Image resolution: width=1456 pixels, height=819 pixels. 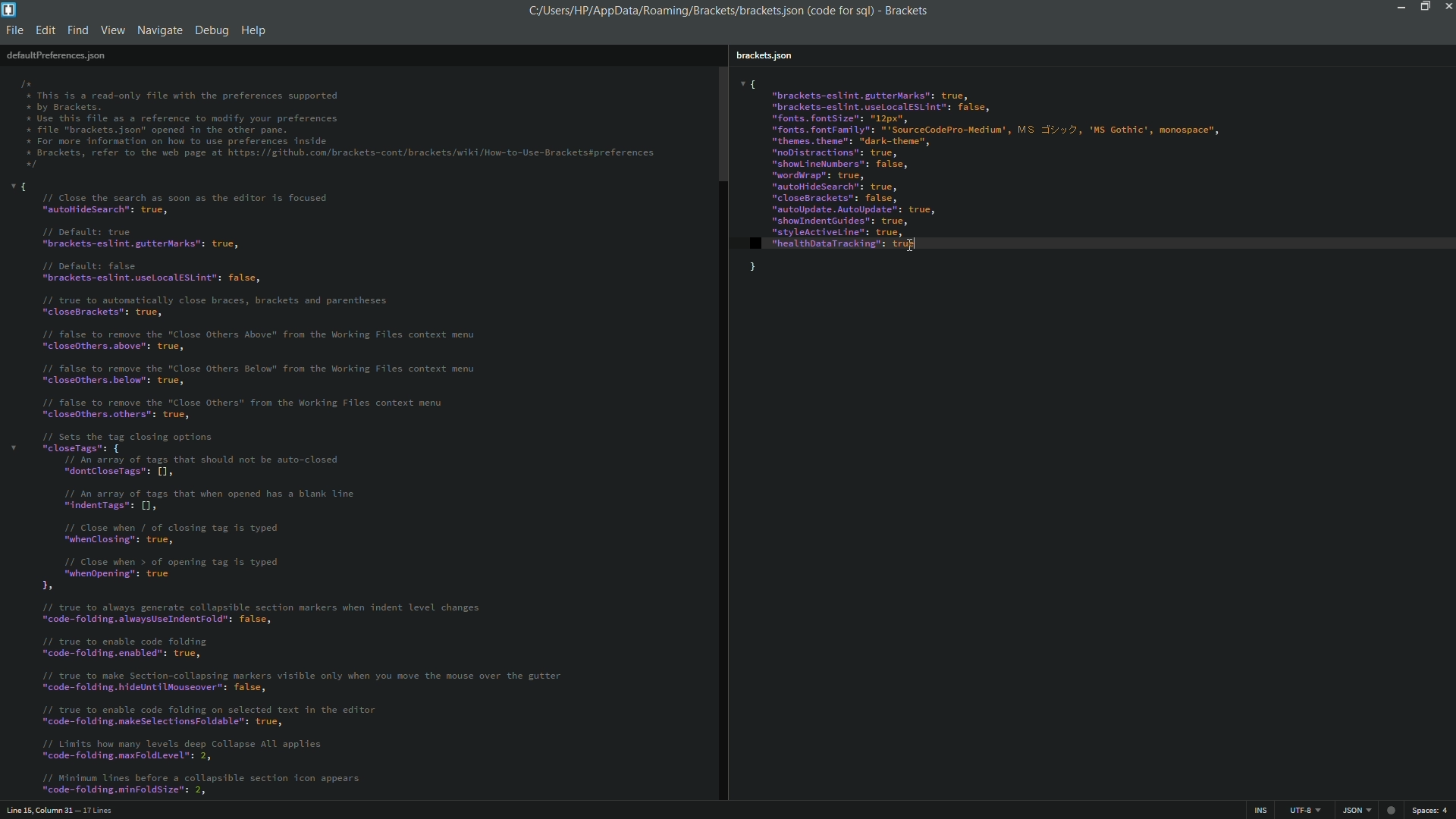 What do you see at coordinates (1257, 811) in the screenshot?
I see `INS` at bounding box center [1257, 811].